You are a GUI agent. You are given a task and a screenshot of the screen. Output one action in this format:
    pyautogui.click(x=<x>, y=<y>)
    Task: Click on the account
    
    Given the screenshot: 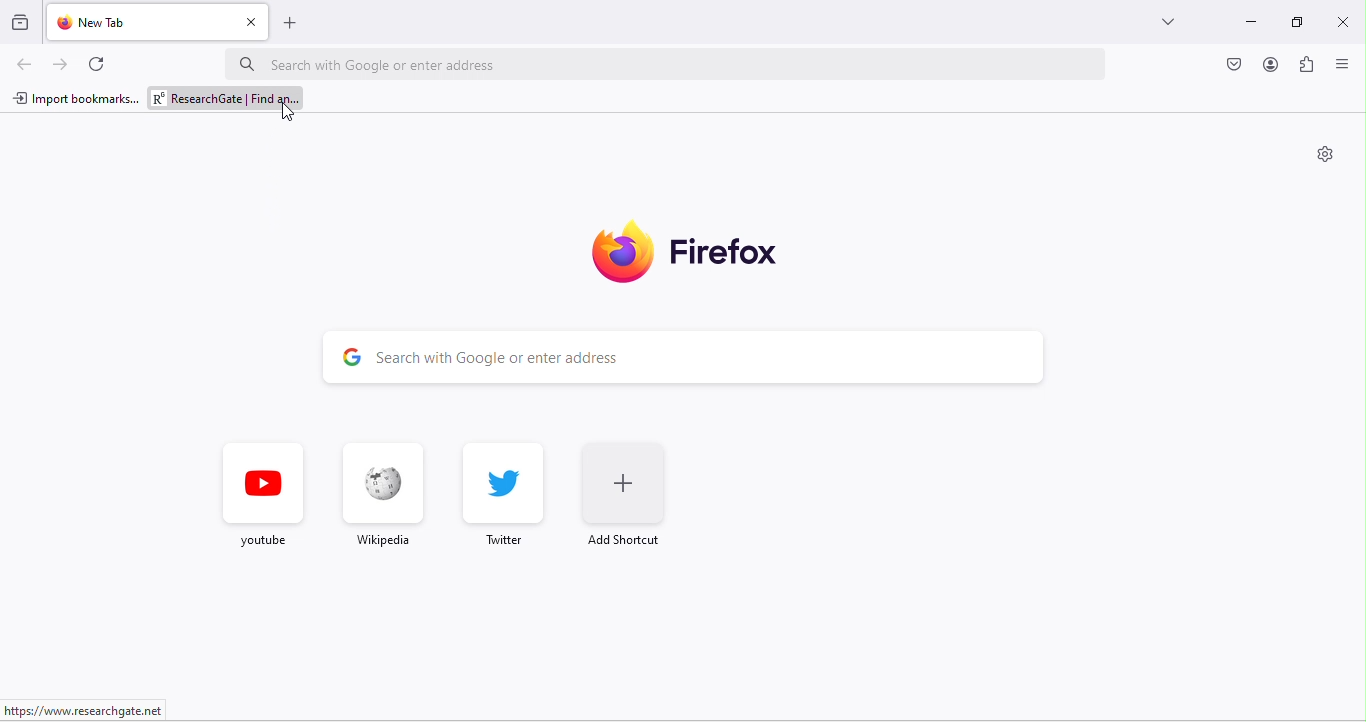 What is the action you would take?
    pyautogui.click(x=1268, y=69)
    